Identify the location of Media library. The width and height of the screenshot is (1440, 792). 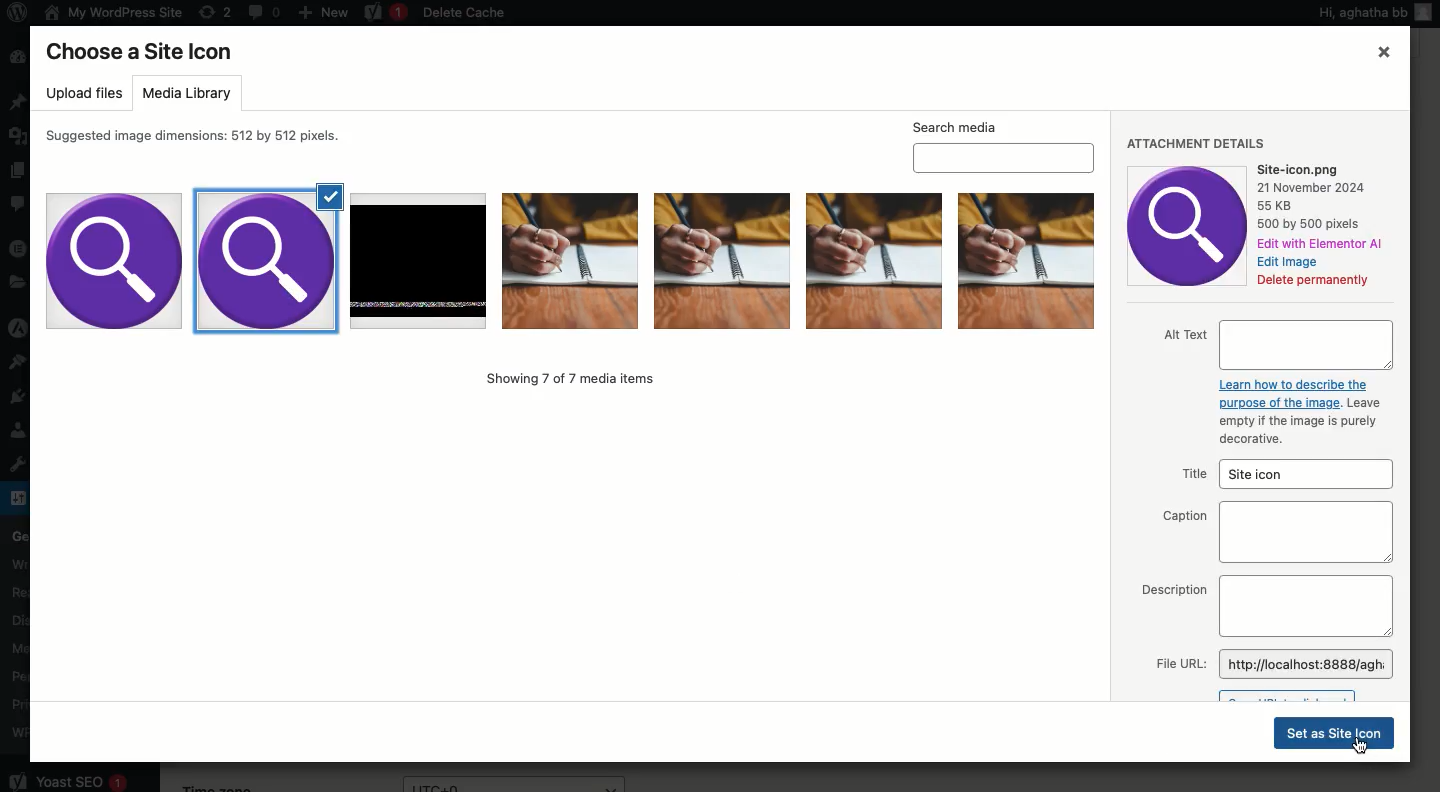
(185, 95).